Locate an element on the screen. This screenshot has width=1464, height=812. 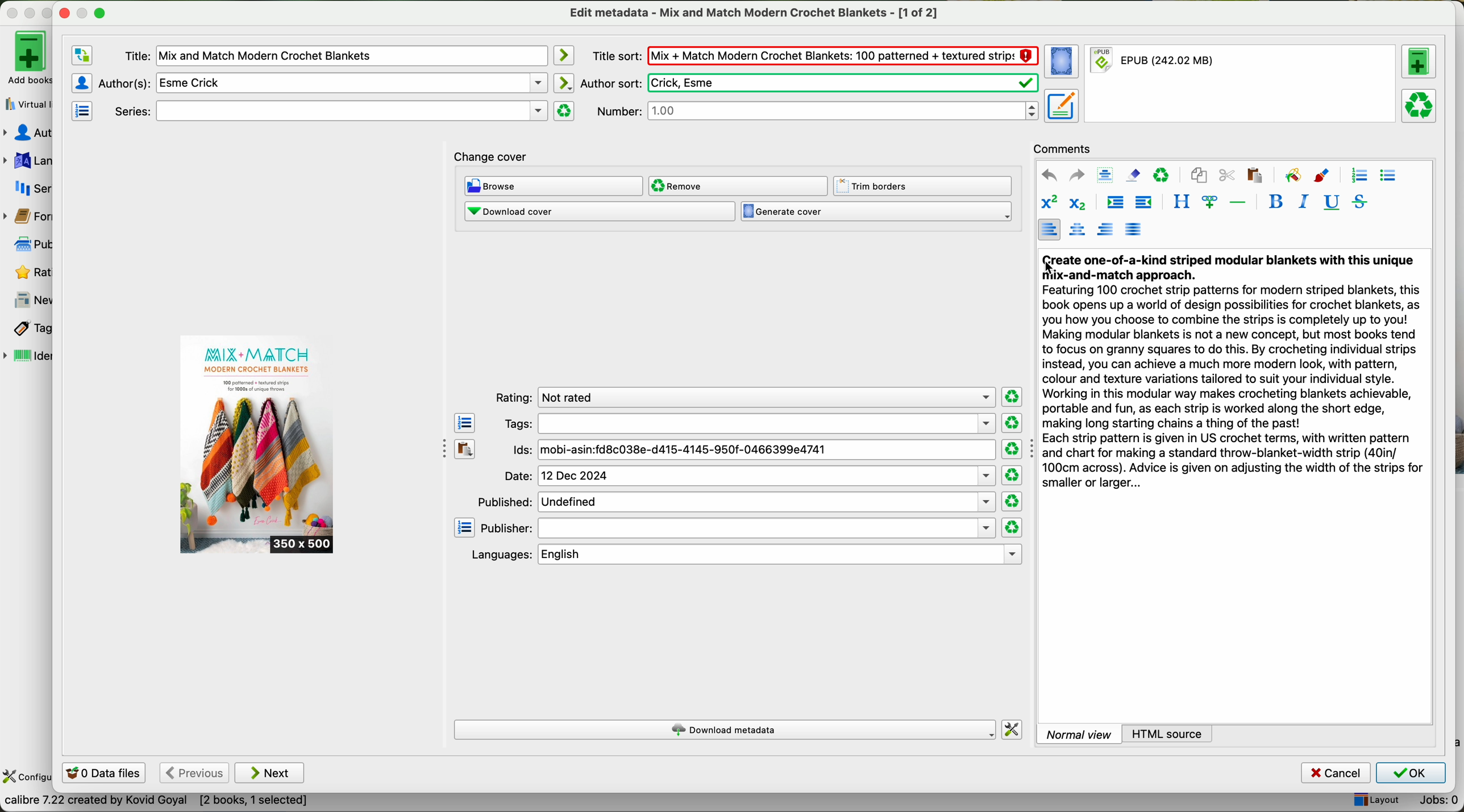
news is located at coordinates (28, 301).